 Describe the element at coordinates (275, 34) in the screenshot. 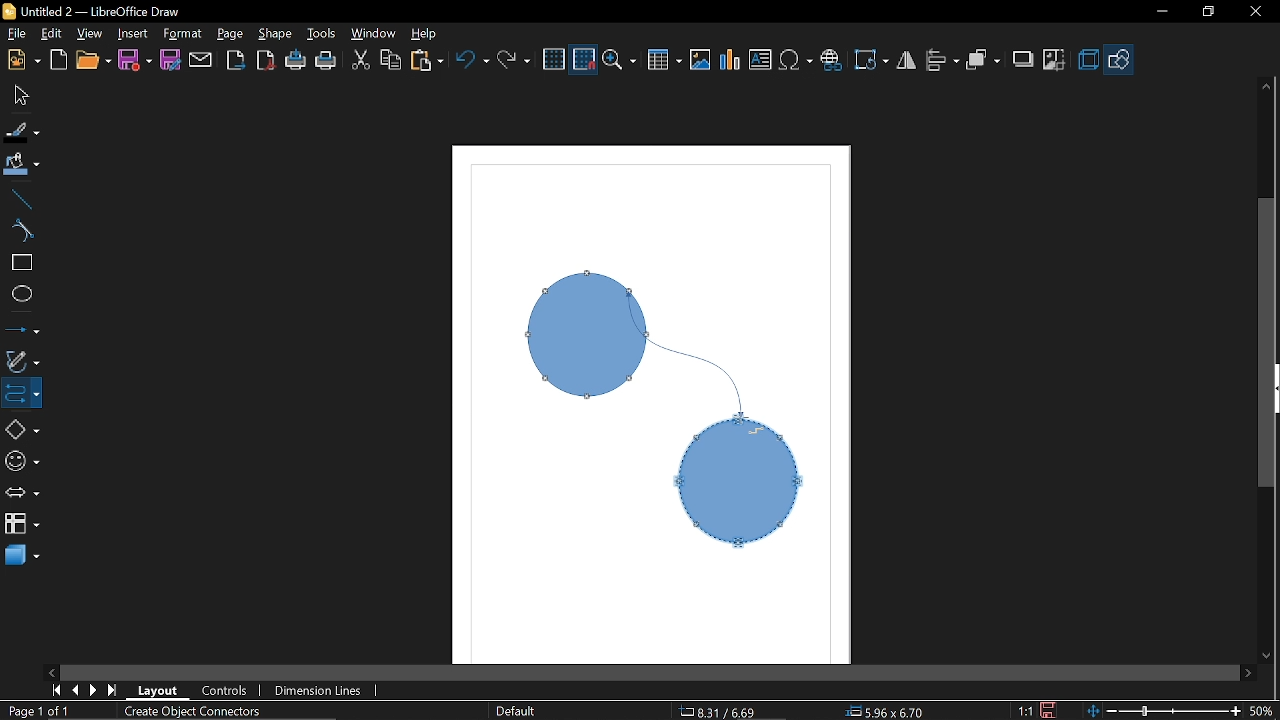

I see `Shape` at that location.